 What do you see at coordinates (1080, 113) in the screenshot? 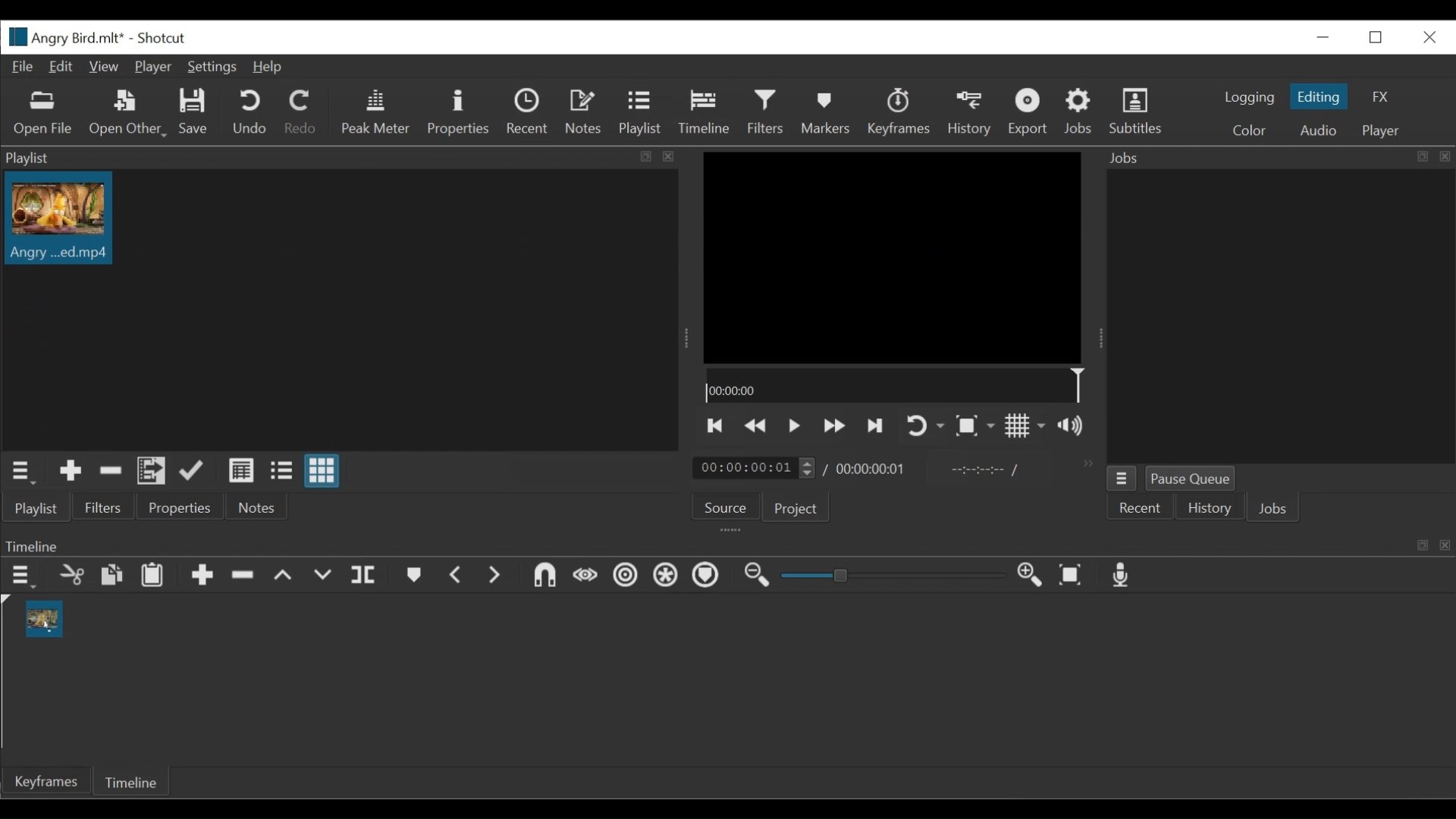
I see `Jobs` at bounding box center [1080, 113].